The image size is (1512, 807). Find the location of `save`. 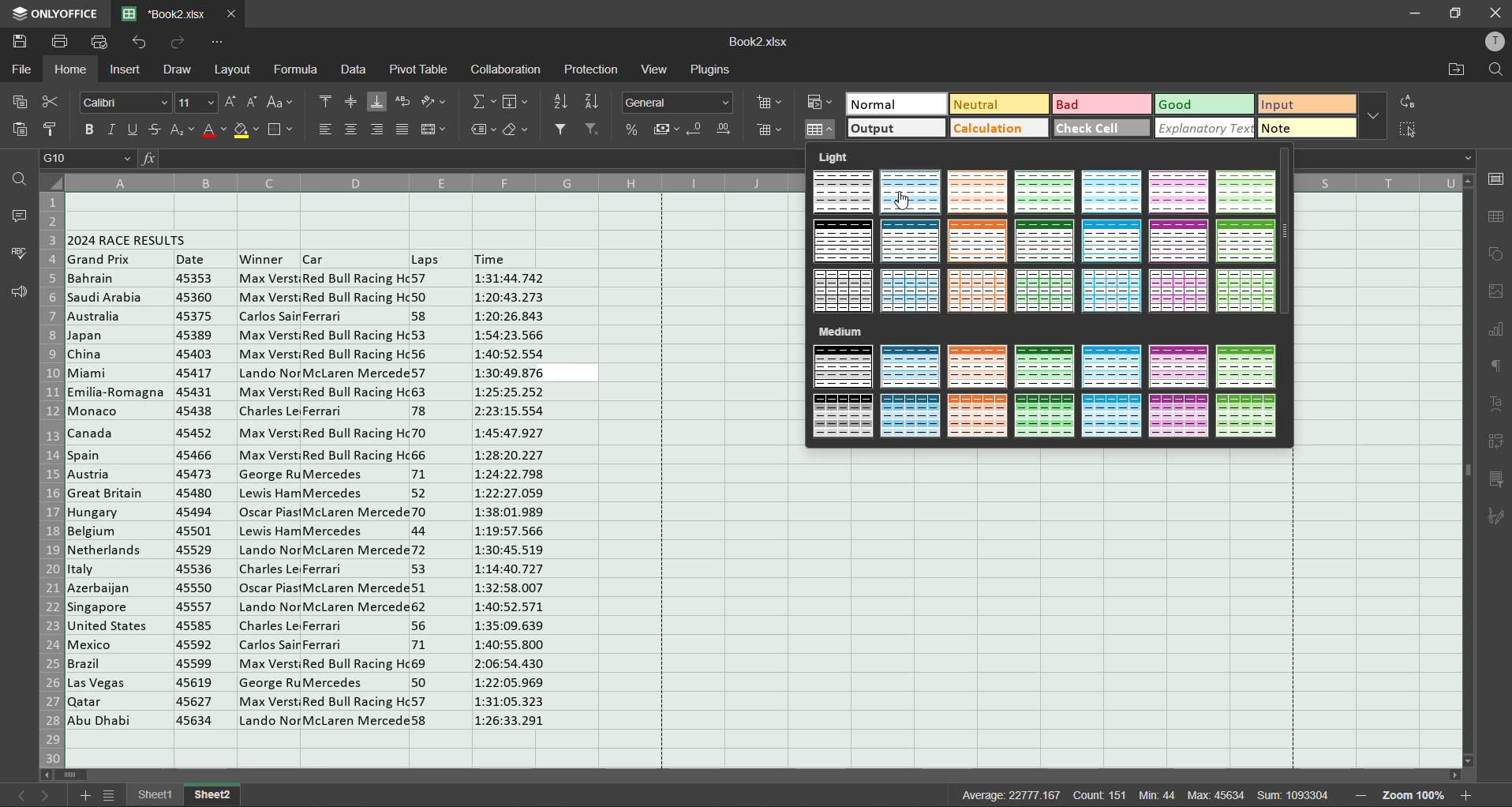

save is located at coordinates (22, 43).